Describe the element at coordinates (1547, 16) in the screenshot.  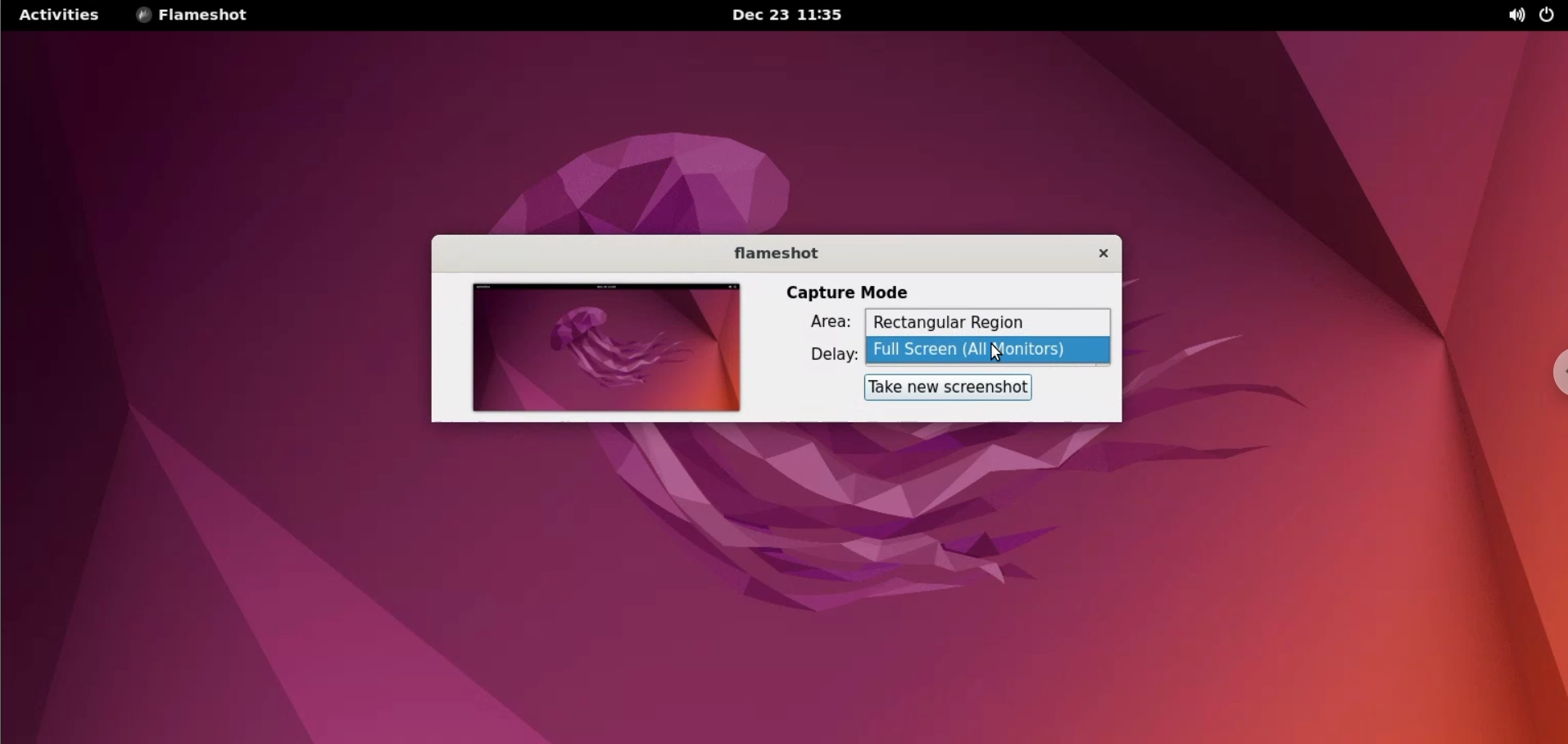
I see `power options` at that location.